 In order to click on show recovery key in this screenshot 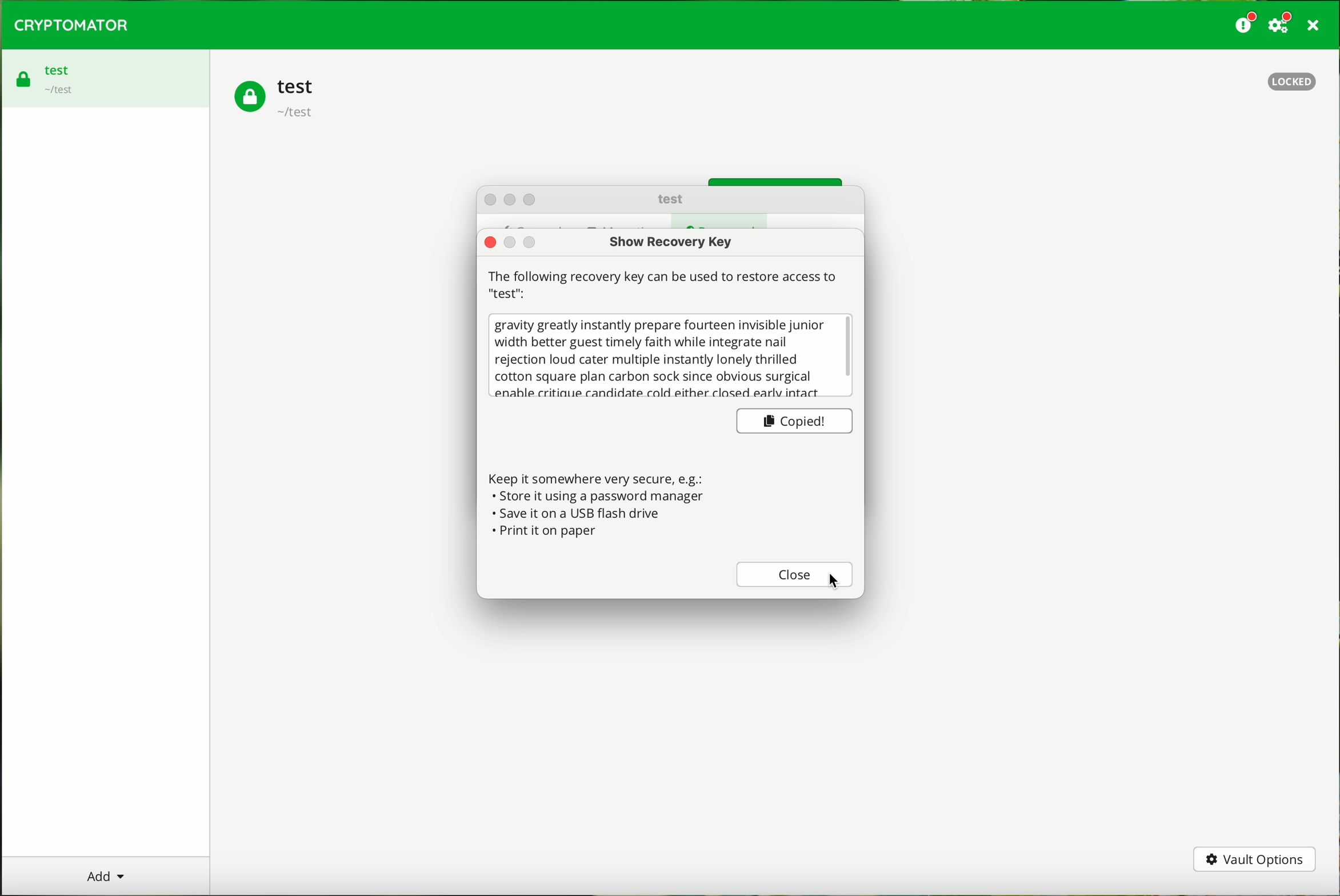, I will do `click(675, 242)`.